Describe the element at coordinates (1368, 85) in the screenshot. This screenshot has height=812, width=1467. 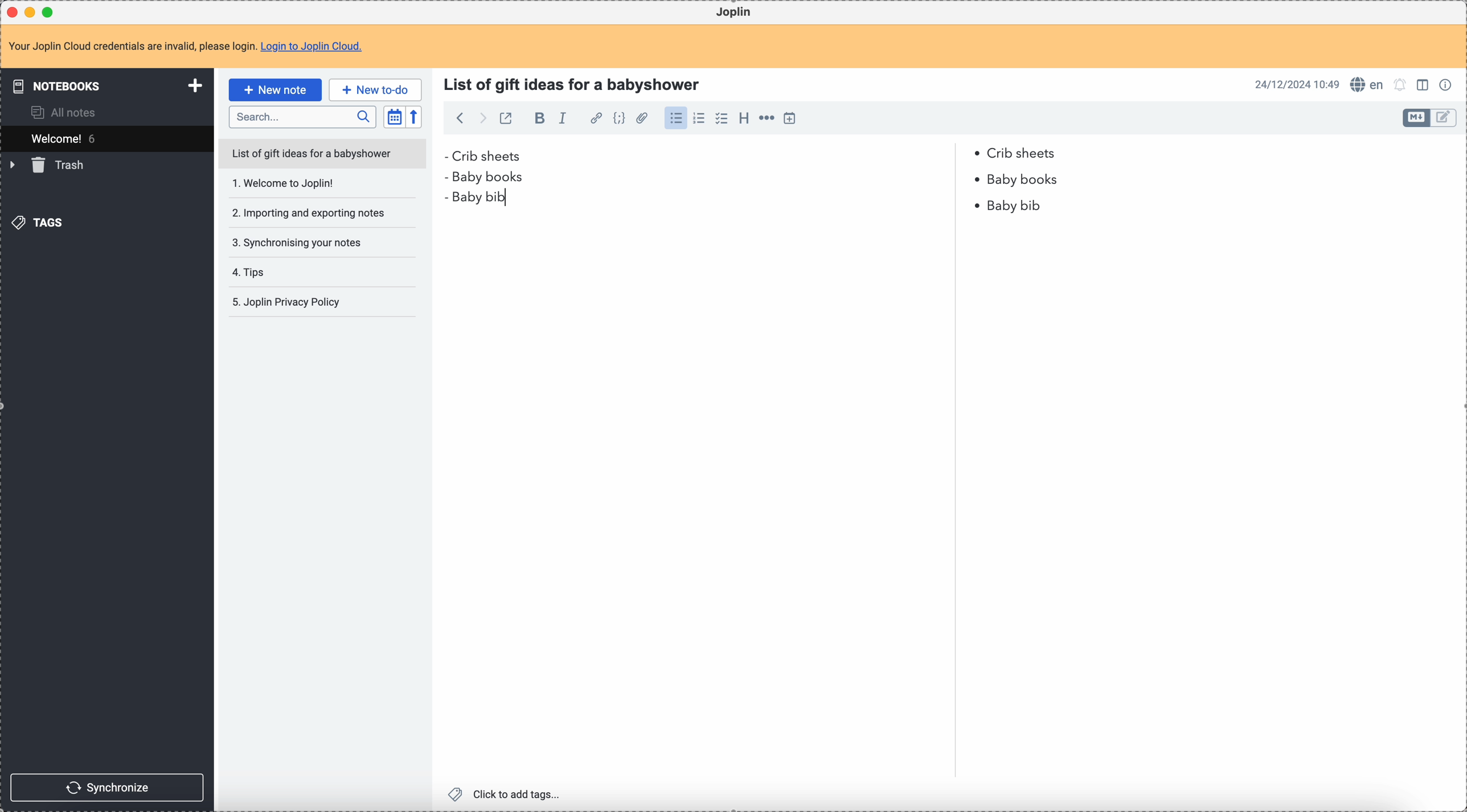
I see `spell checker` at that location.